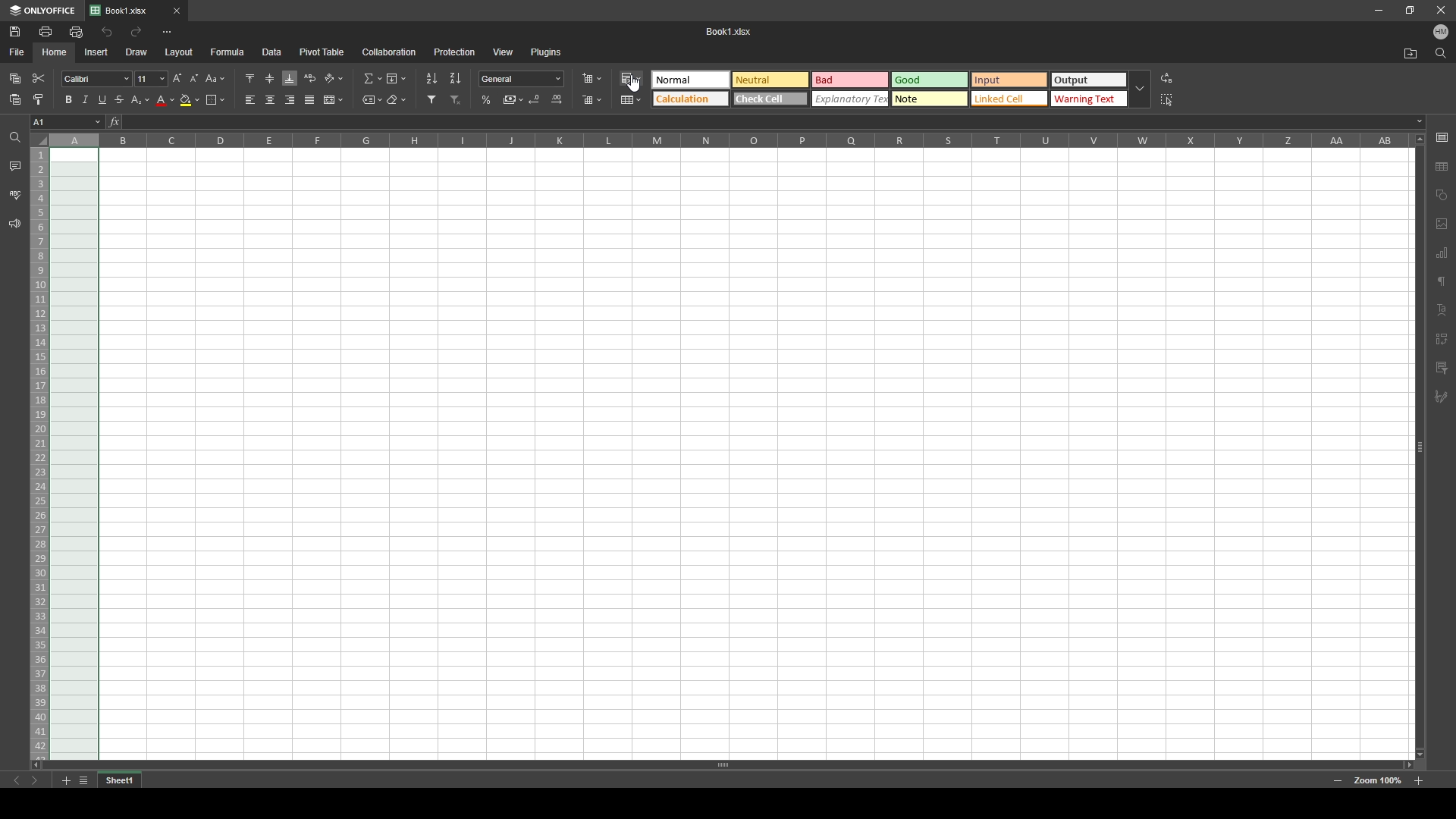 The height and width of the screenshot is (819, 1456). Describe the element at coordinates (45, 31) in the screenshot. I see `print file` at that location.